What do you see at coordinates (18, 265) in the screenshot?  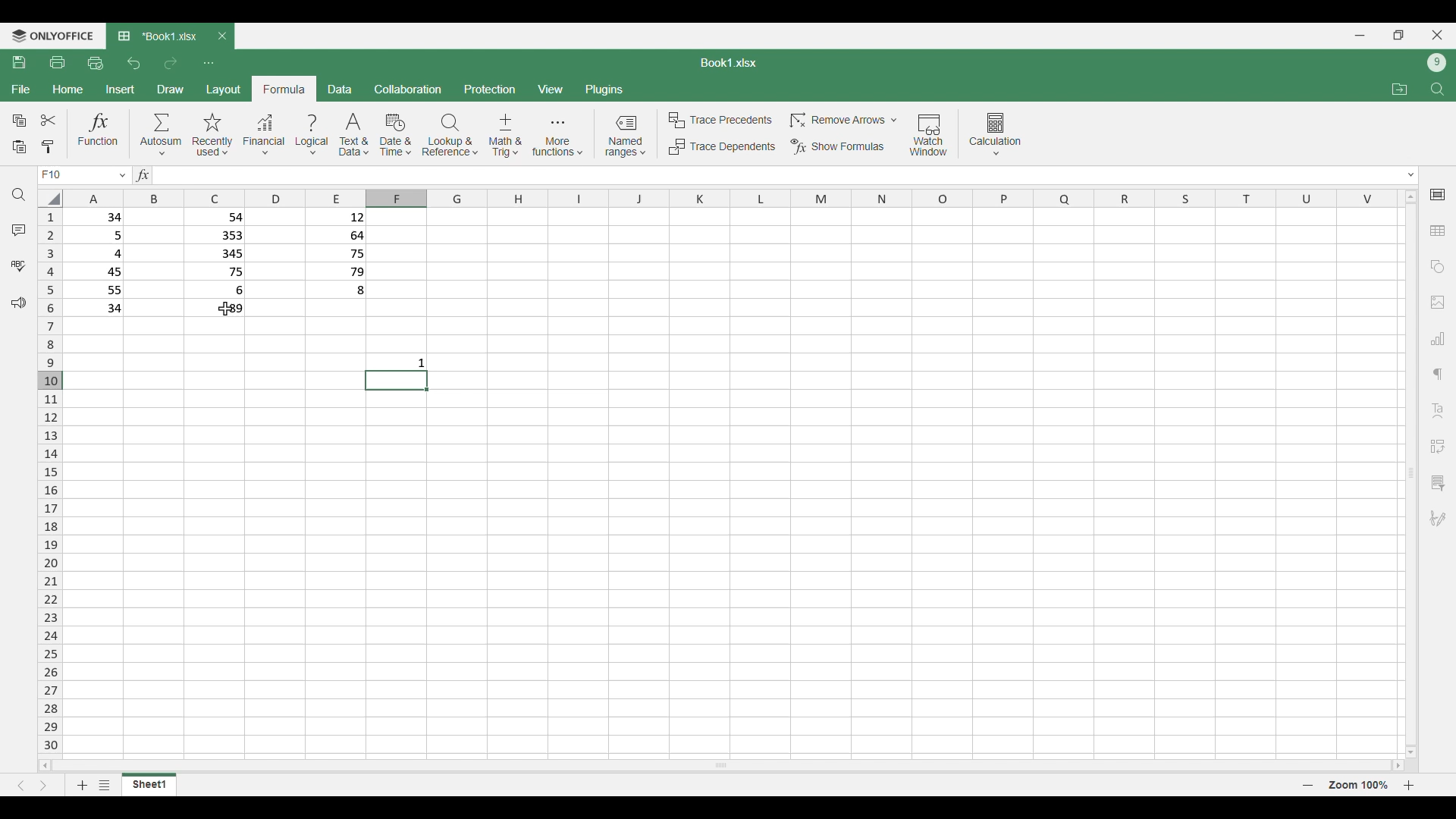 I see `Spell check` at bounding box center [18, 265].